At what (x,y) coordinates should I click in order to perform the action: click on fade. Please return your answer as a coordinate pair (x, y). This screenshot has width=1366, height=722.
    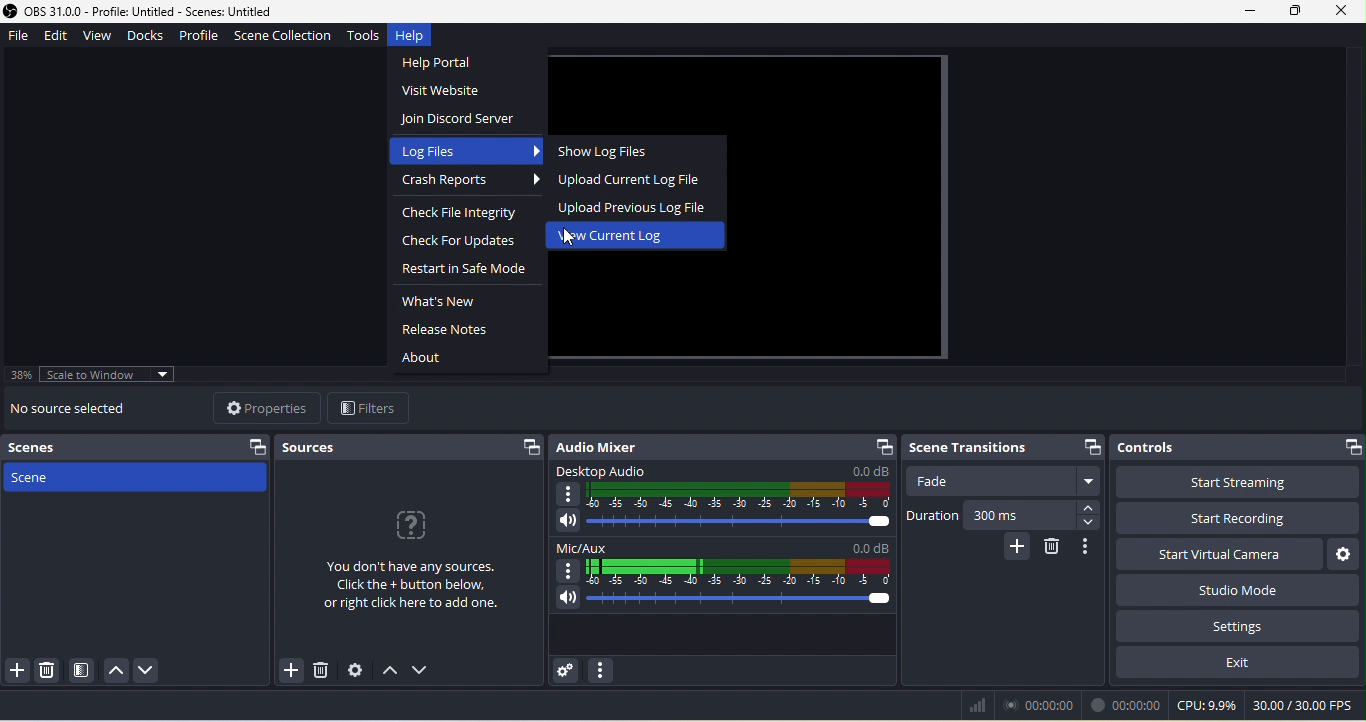
    Looking at the image, I should click on (1007, 483).